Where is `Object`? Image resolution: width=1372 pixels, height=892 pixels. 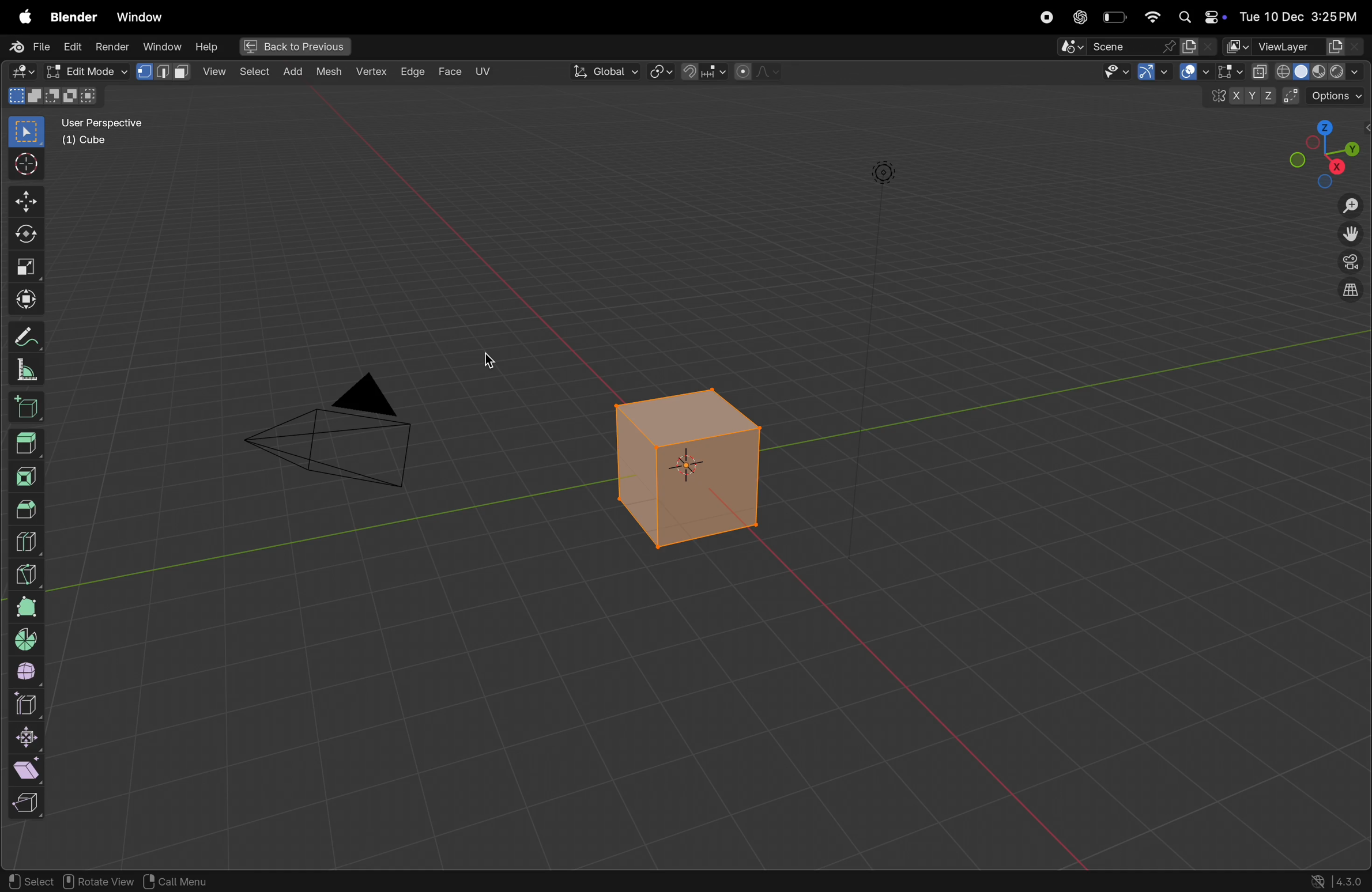 Object is located at coordinates (295, 70).